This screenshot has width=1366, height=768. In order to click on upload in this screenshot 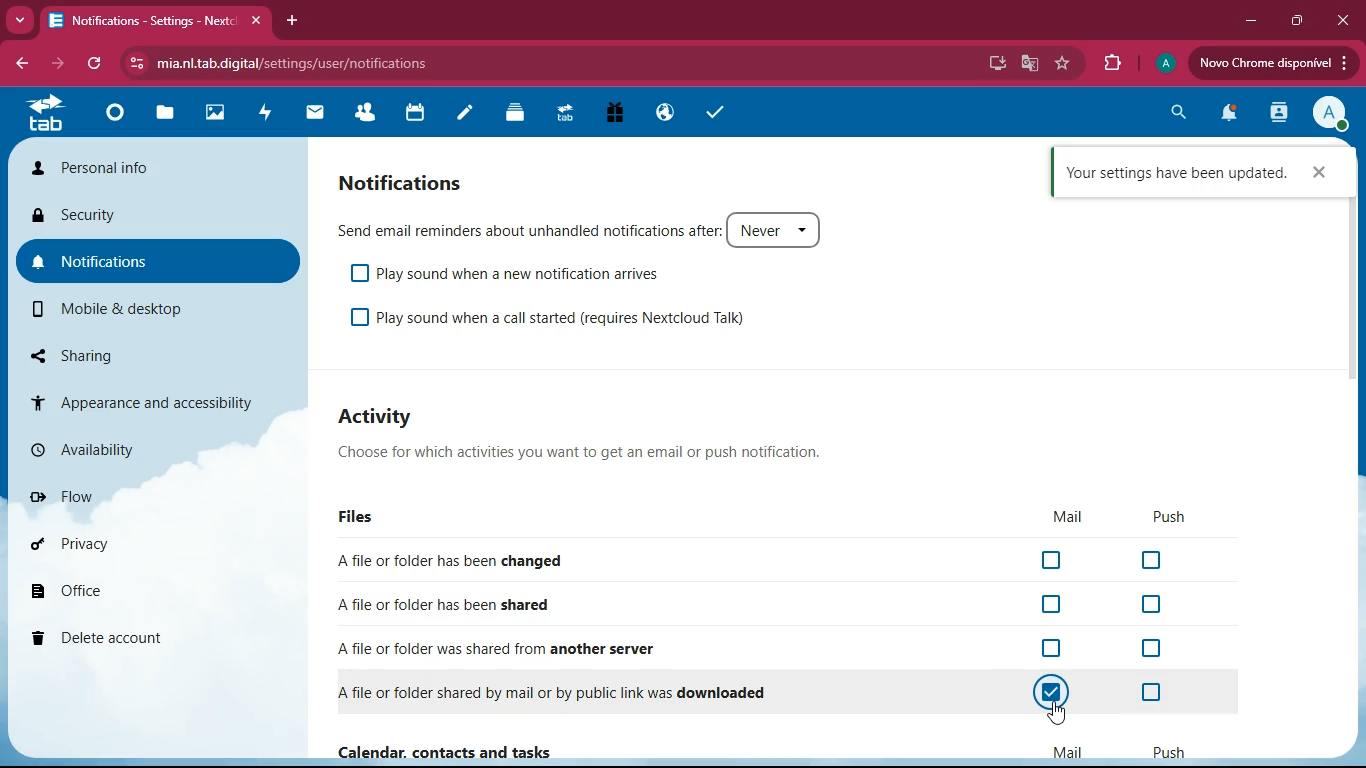, I will do `click(1274, 65)`.